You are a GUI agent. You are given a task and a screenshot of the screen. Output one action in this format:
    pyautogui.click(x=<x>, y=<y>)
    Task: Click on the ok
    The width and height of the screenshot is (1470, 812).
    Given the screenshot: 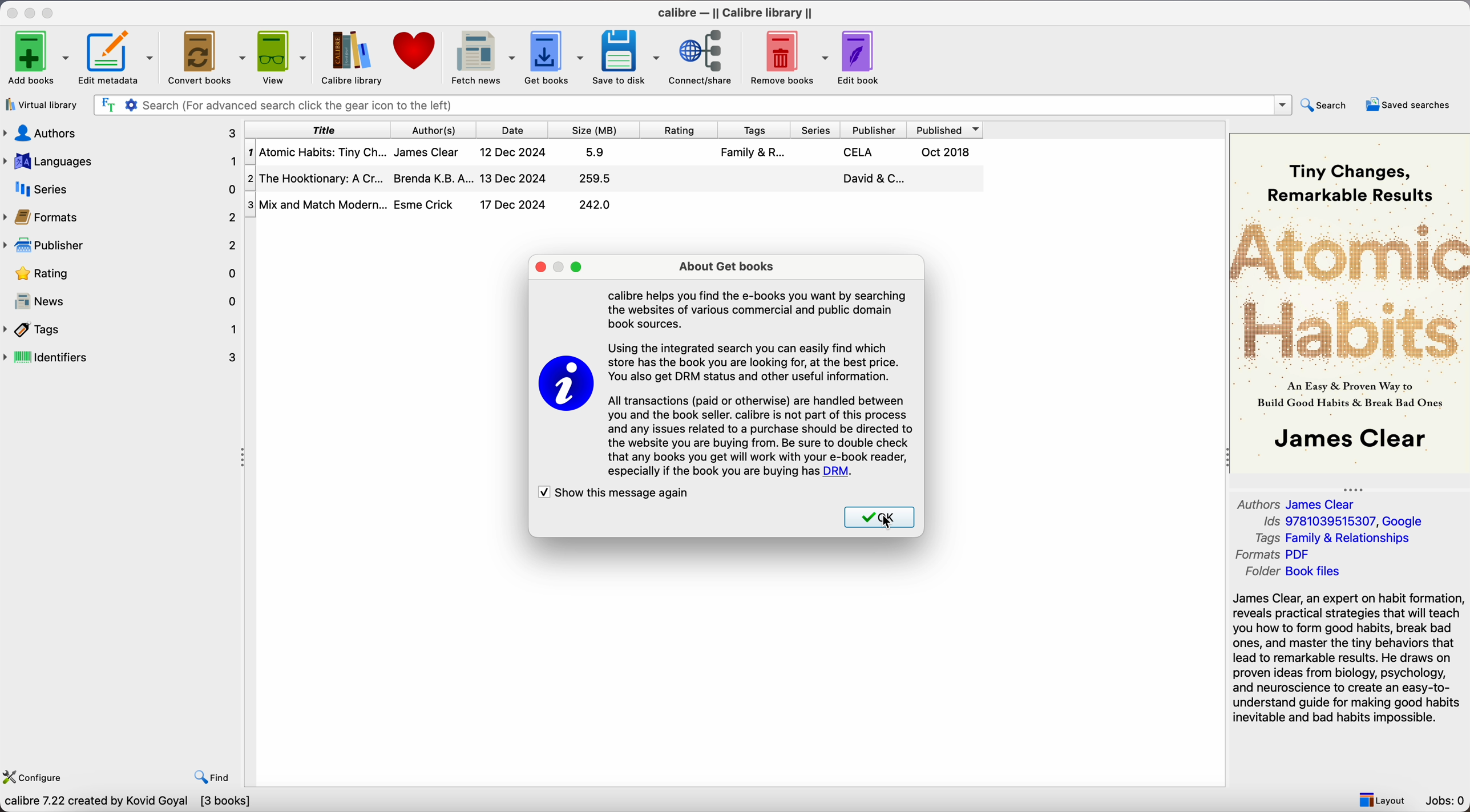 What is the action you would take?
    pyautogui.click(x=877, y=518)
    